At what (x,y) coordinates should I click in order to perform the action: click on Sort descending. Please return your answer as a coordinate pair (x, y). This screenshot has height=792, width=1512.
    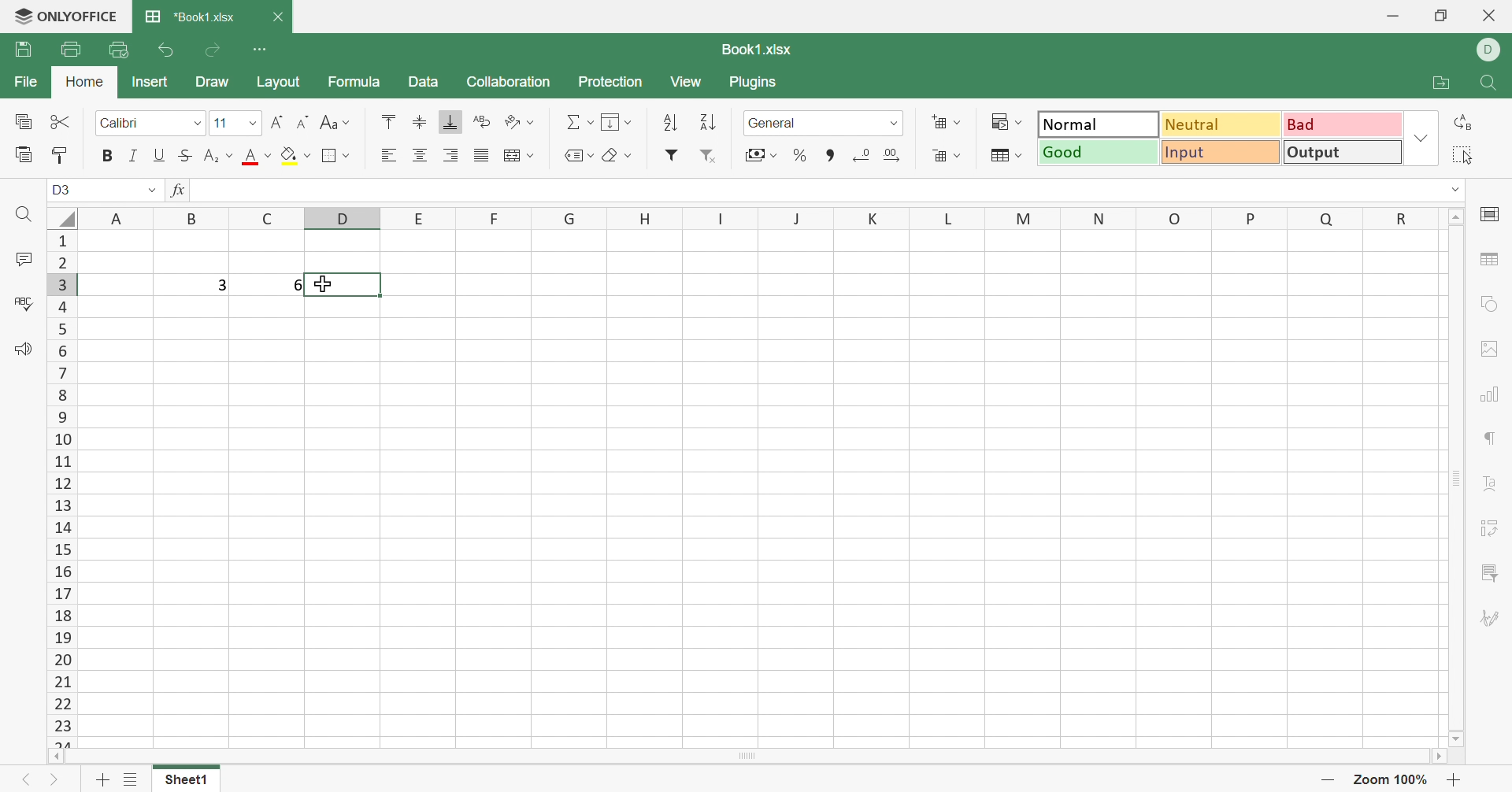
    Looking at the image, I should click on (710, 124).